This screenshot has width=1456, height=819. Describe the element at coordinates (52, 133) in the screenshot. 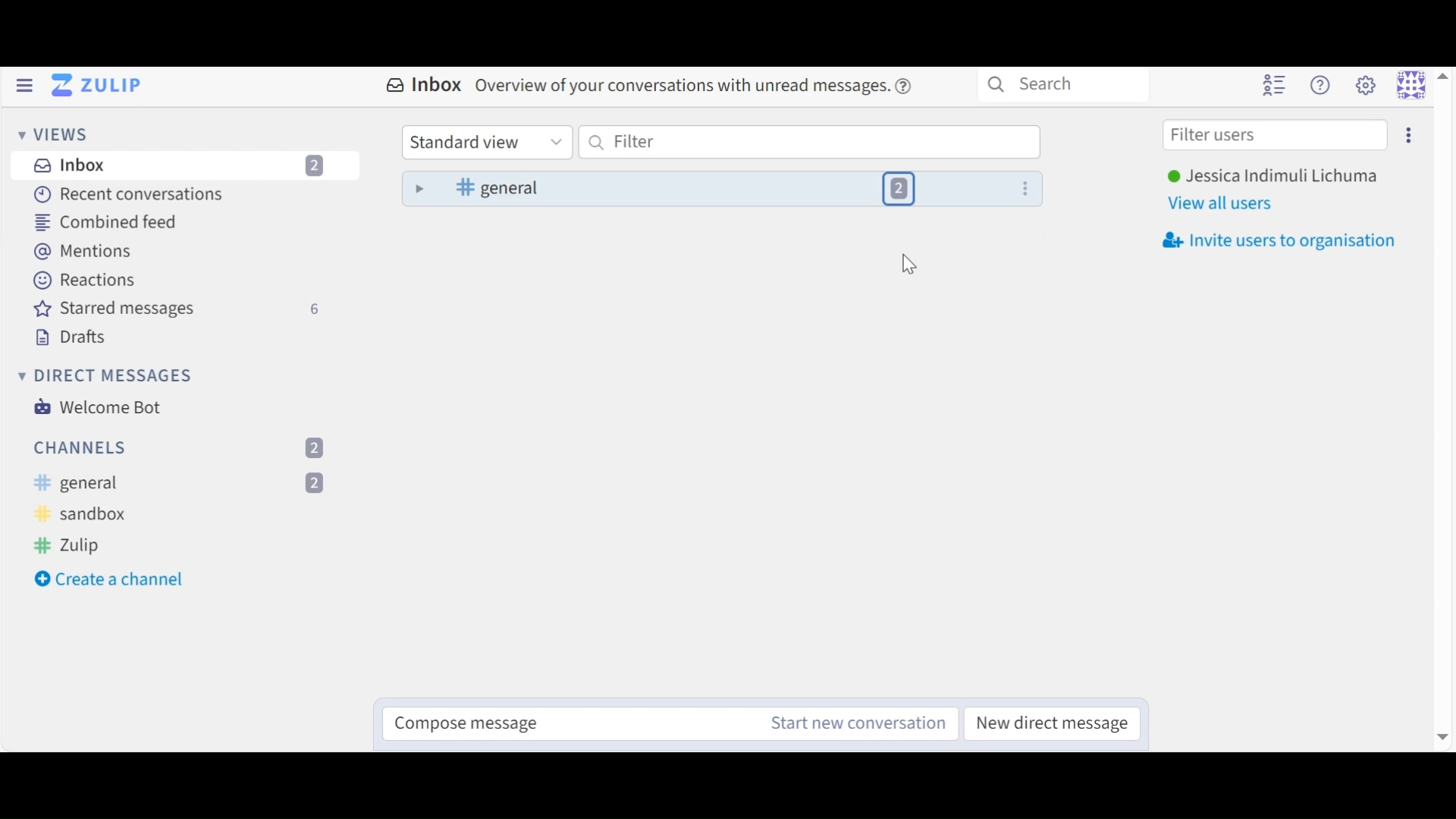

I see `Views` at that location.